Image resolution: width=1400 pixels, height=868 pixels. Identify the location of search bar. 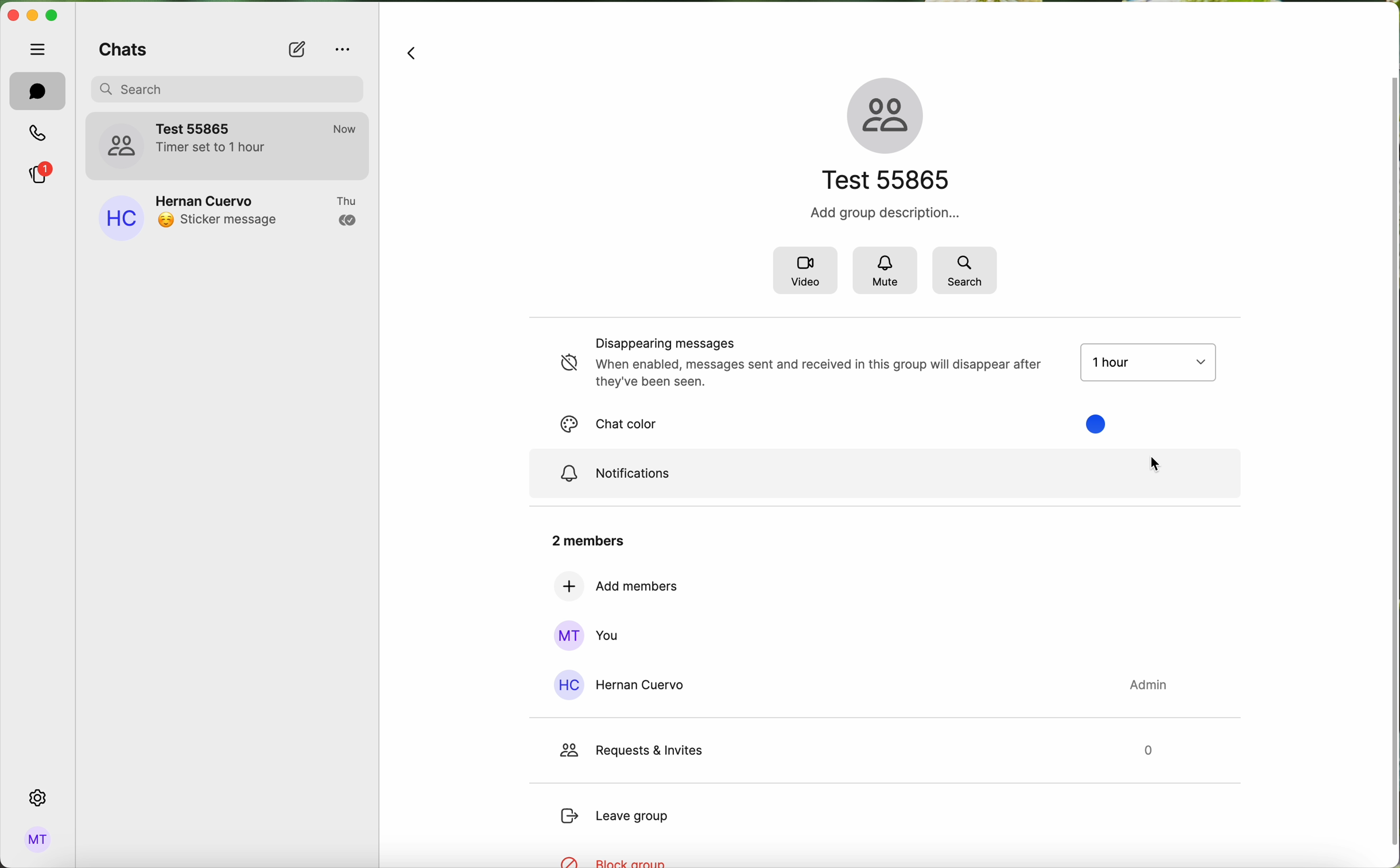
(231, 87).